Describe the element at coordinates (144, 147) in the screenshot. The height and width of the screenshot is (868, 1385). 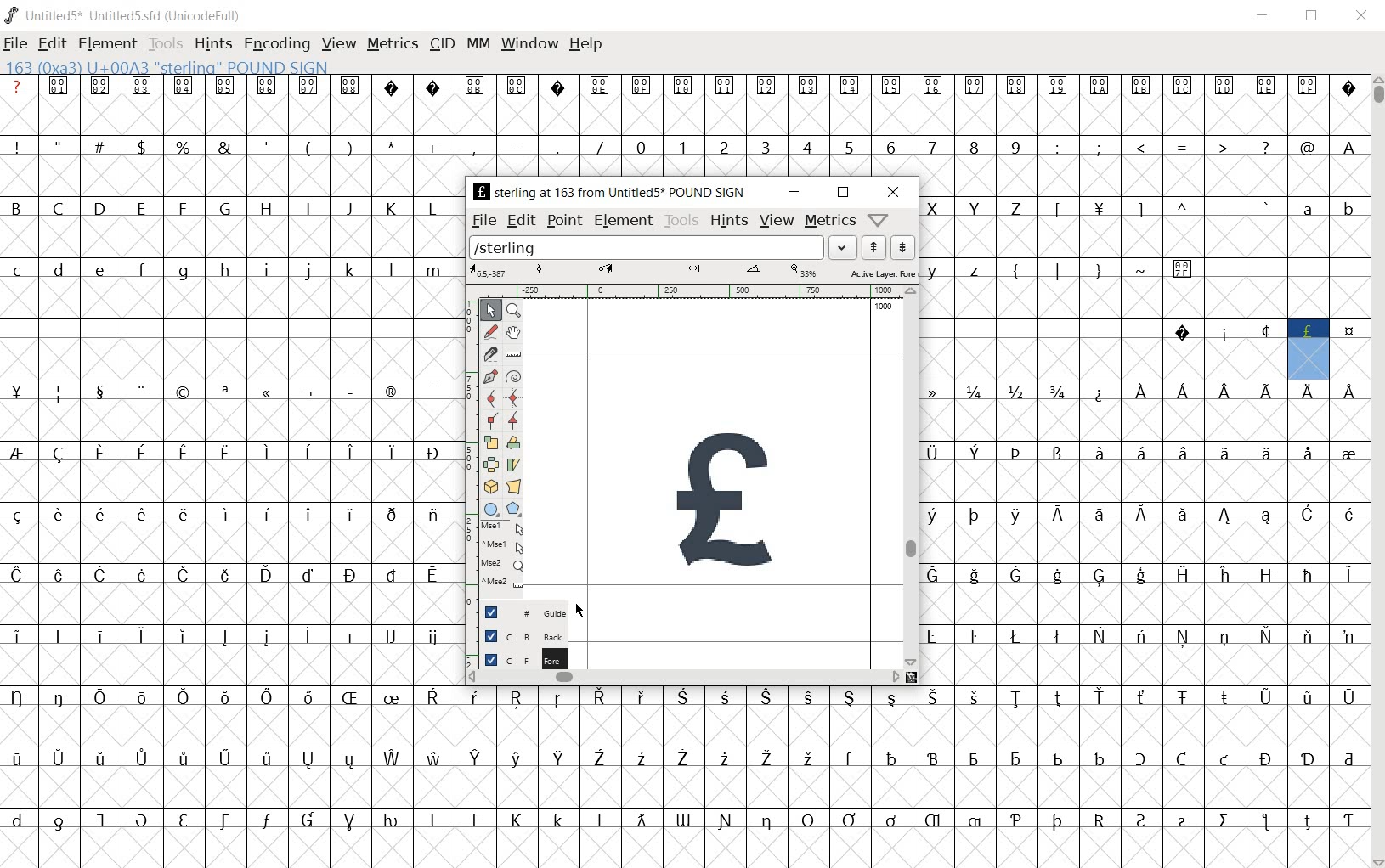
I see `$` at that location.